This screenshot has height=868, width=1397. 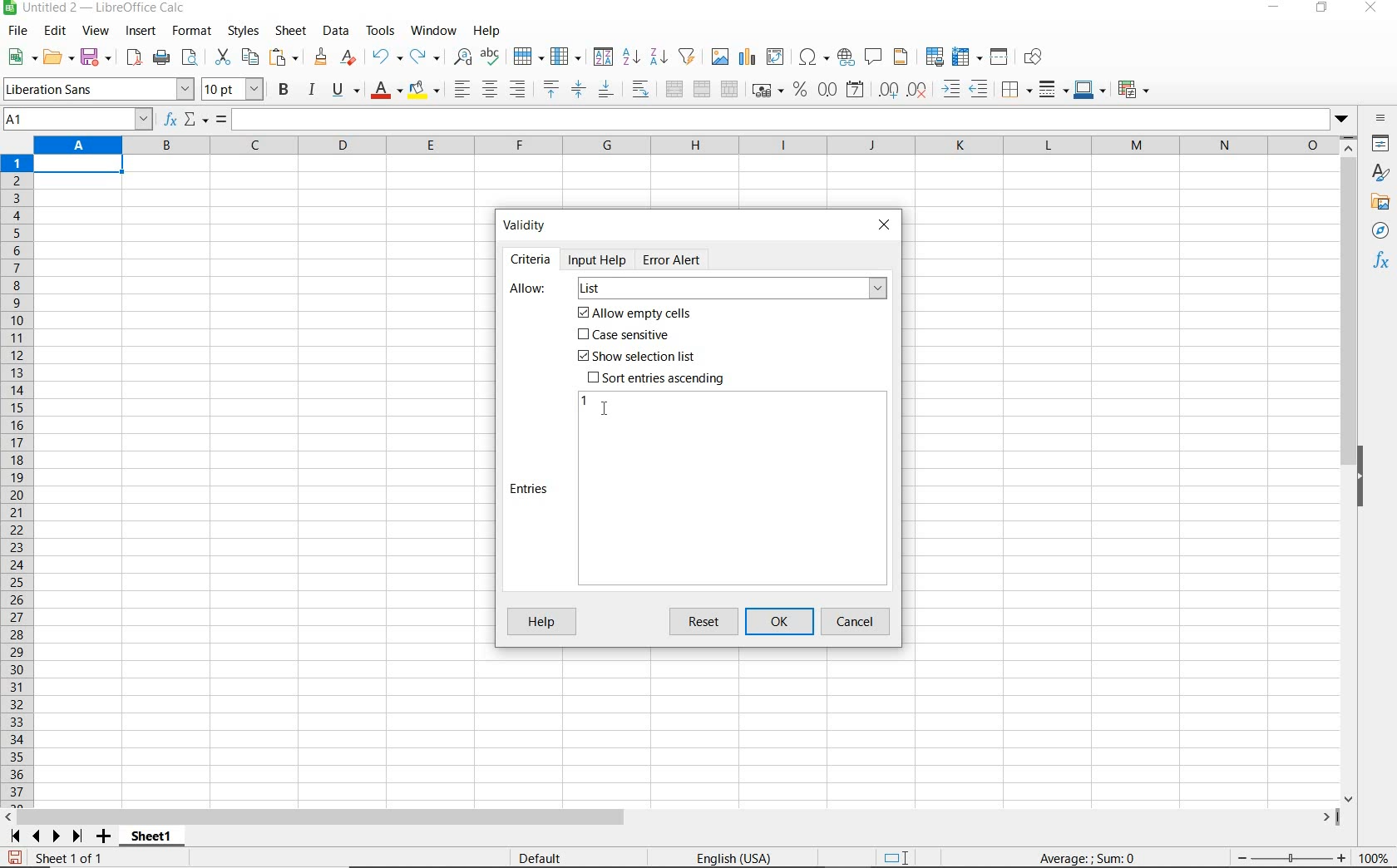 I want to click on split window, so click(x=1000, y=57).